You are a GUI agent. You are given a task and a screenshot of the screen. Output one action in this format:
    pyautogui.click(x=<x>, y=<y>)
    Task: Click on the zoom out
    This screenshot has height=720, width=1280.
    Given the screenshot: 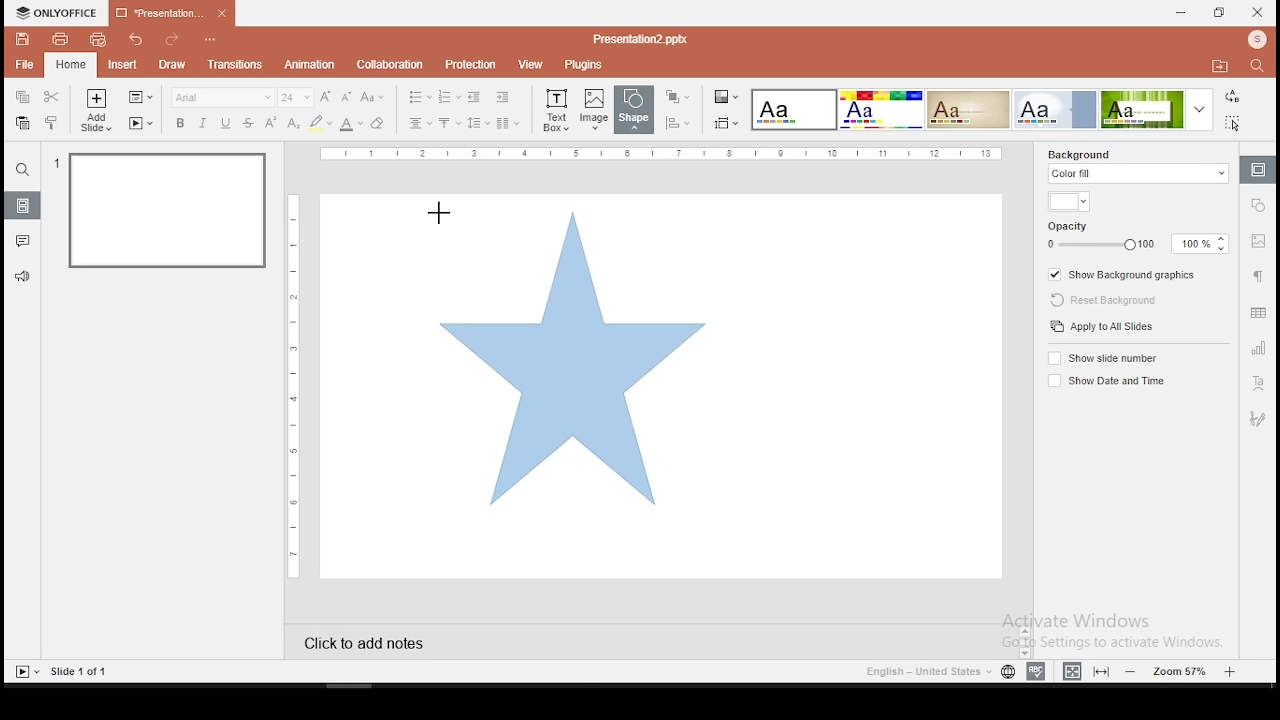 What is the action you would take?
    pyautogui.click(x=1134, y=671)
    